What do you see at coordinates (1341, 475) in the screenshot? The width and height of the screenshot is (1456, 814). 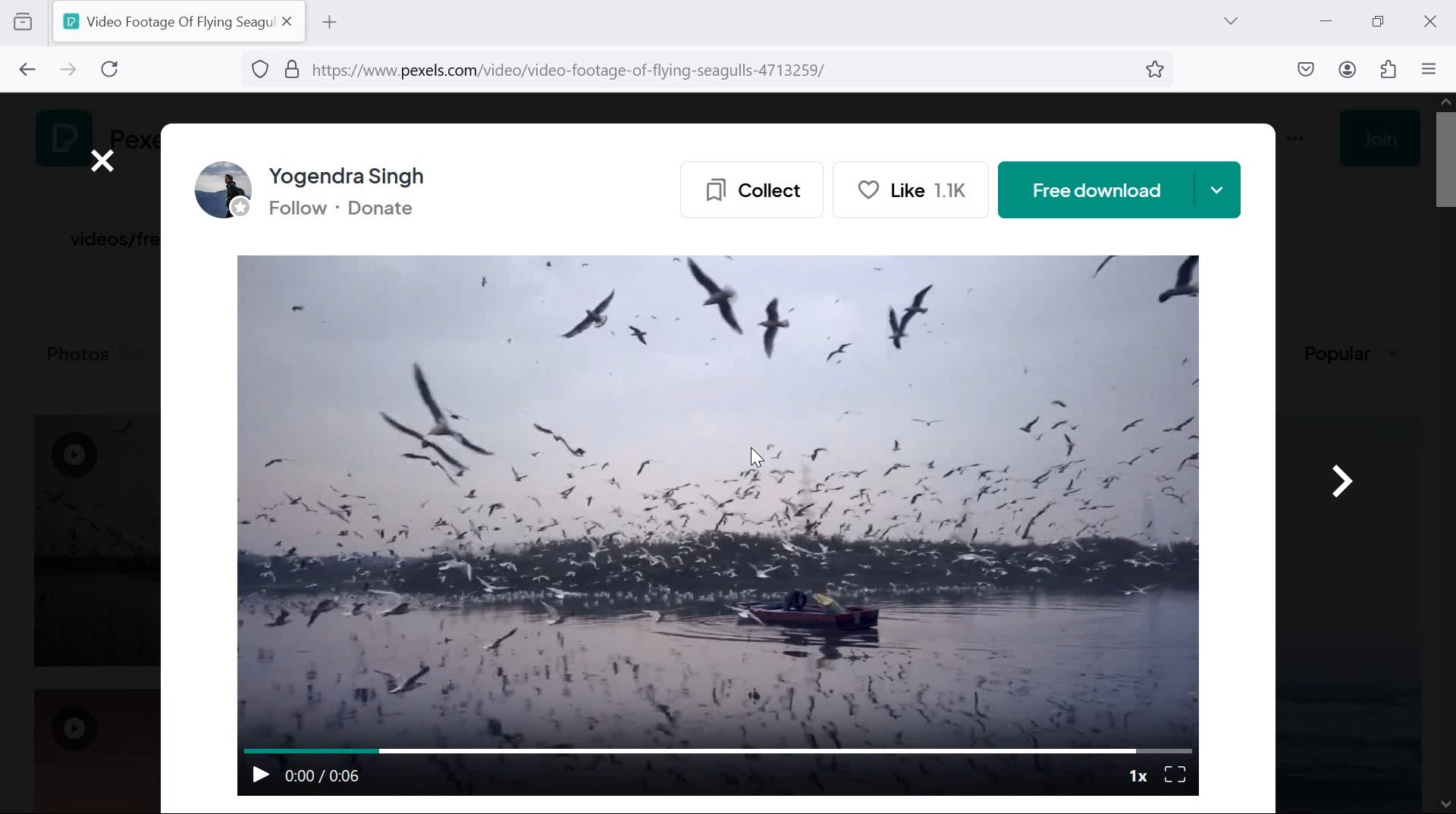 I see `go next` at bounding box center [1341, 475].